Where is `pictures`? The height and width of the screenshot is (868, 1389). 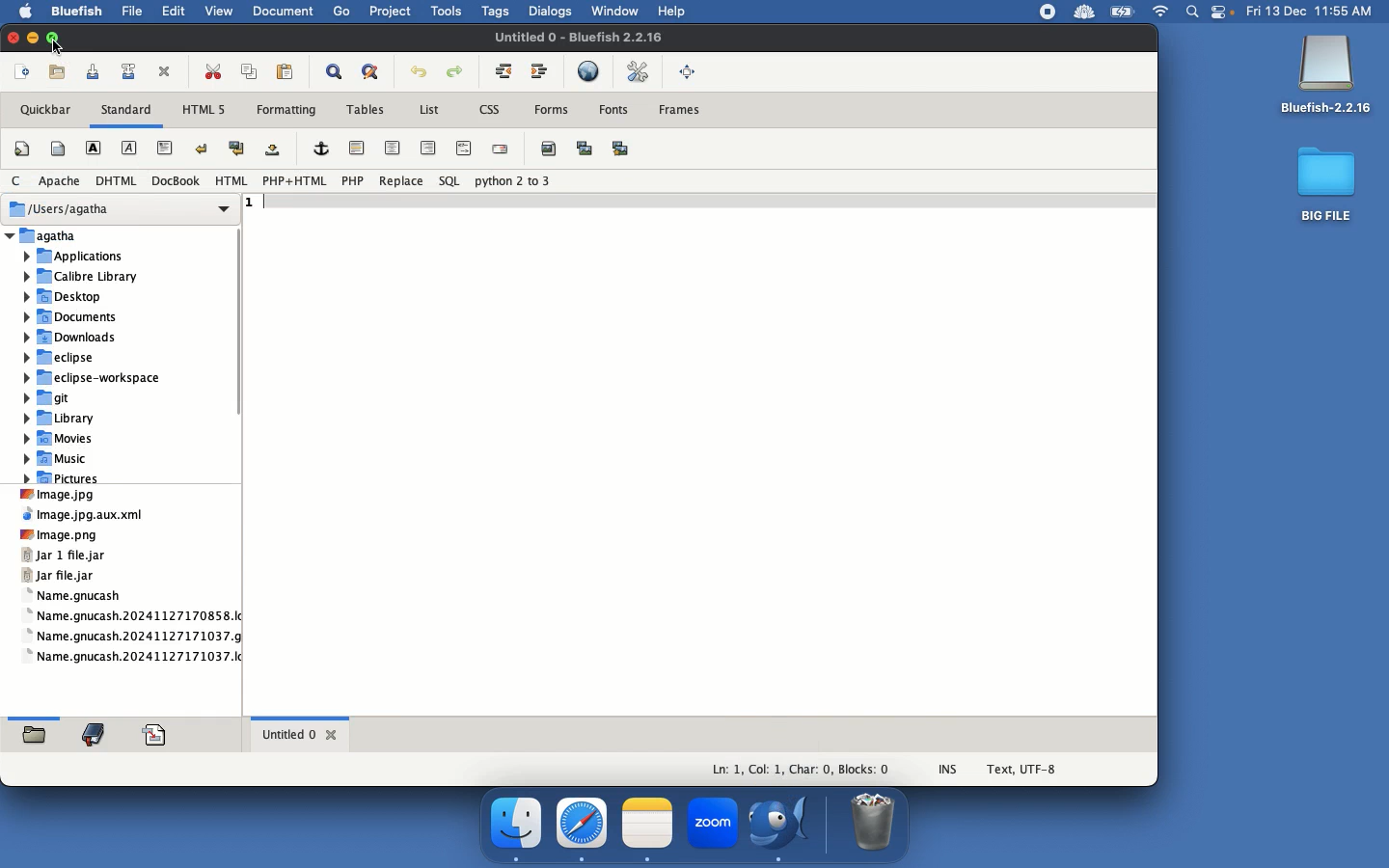 pictures is located at coordinates (66, 479).